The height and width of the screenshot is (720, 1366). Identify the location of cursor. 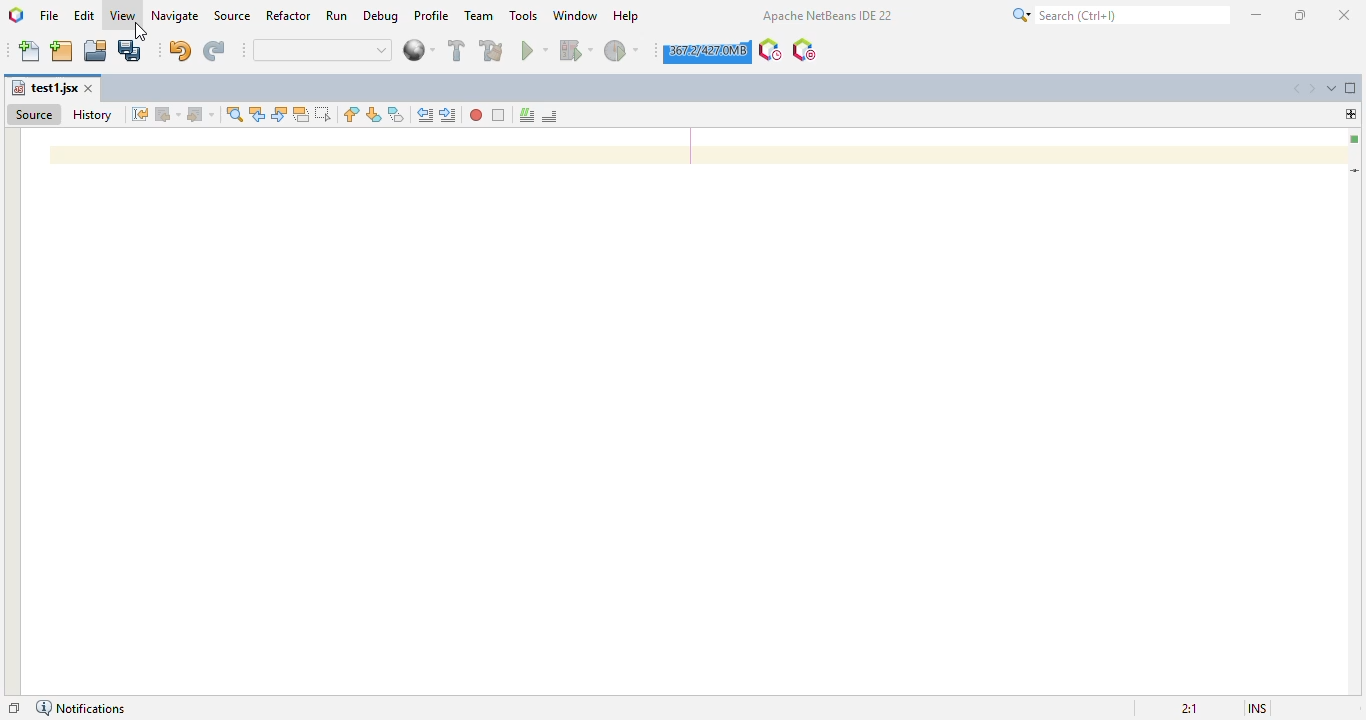
(141, 32).